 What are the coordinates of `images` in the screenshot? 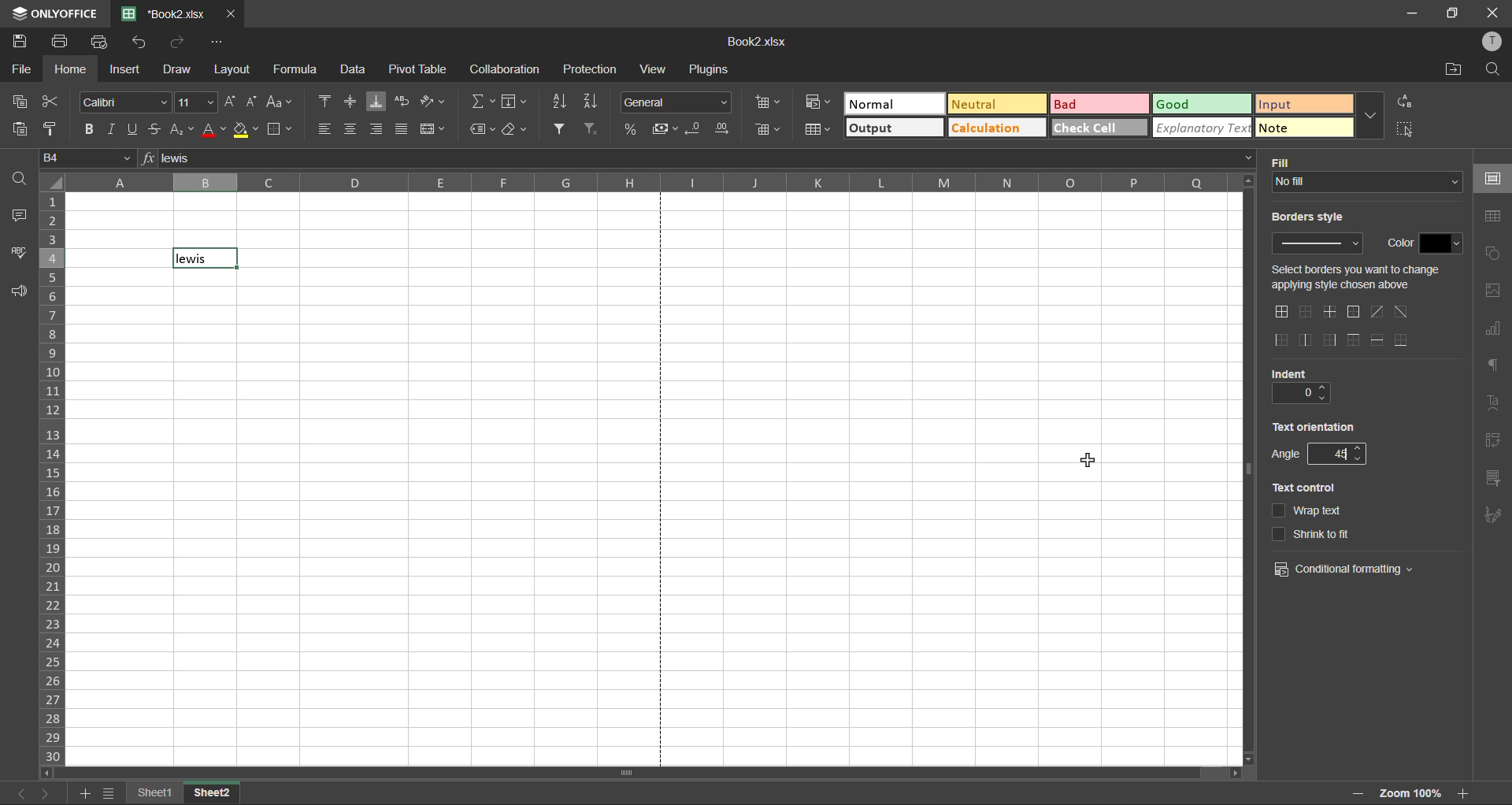 It's located at (1492, 291).